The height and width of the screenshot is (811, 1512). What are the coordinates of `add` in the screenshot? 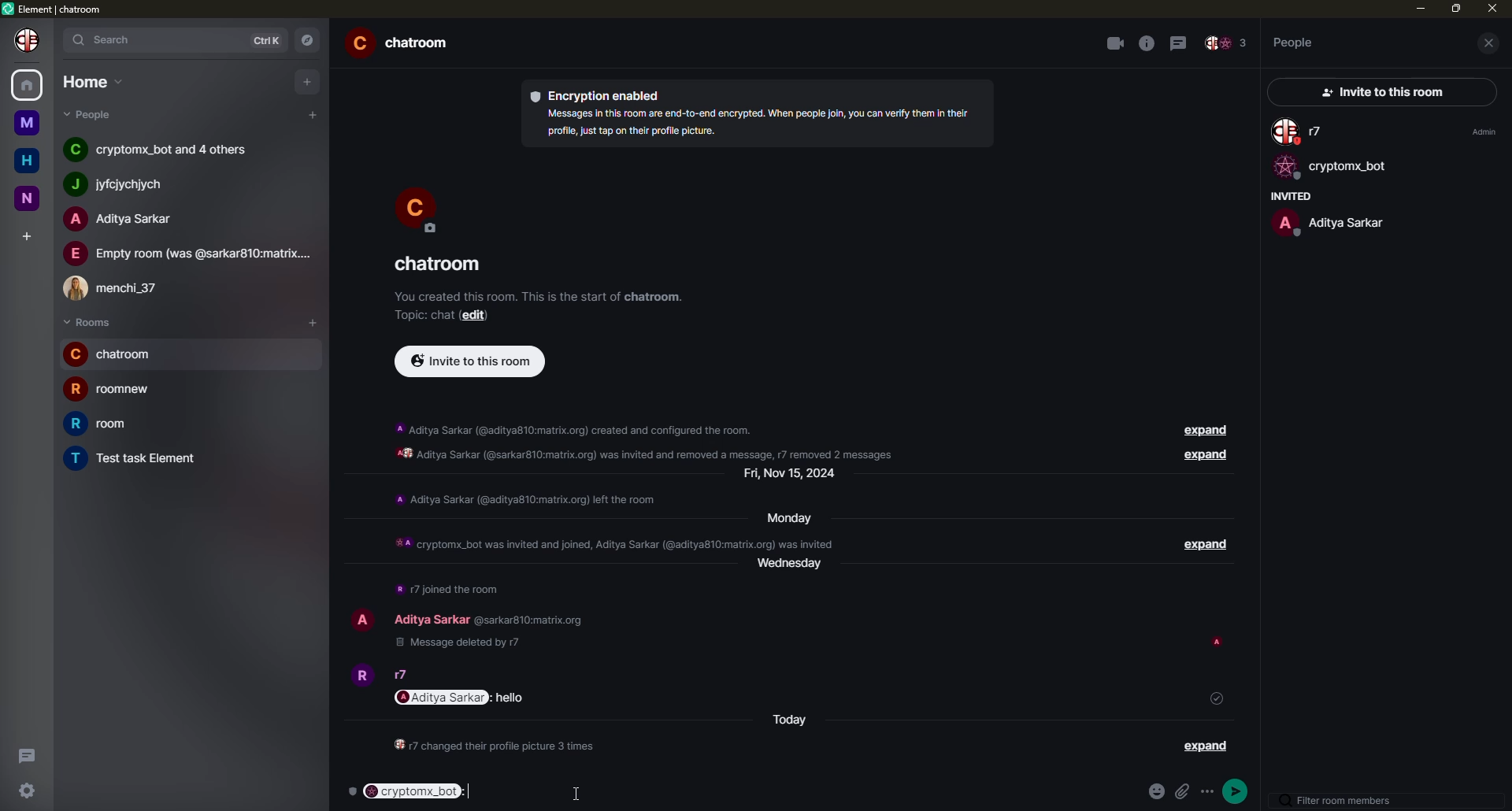 It's located at (28, 235).